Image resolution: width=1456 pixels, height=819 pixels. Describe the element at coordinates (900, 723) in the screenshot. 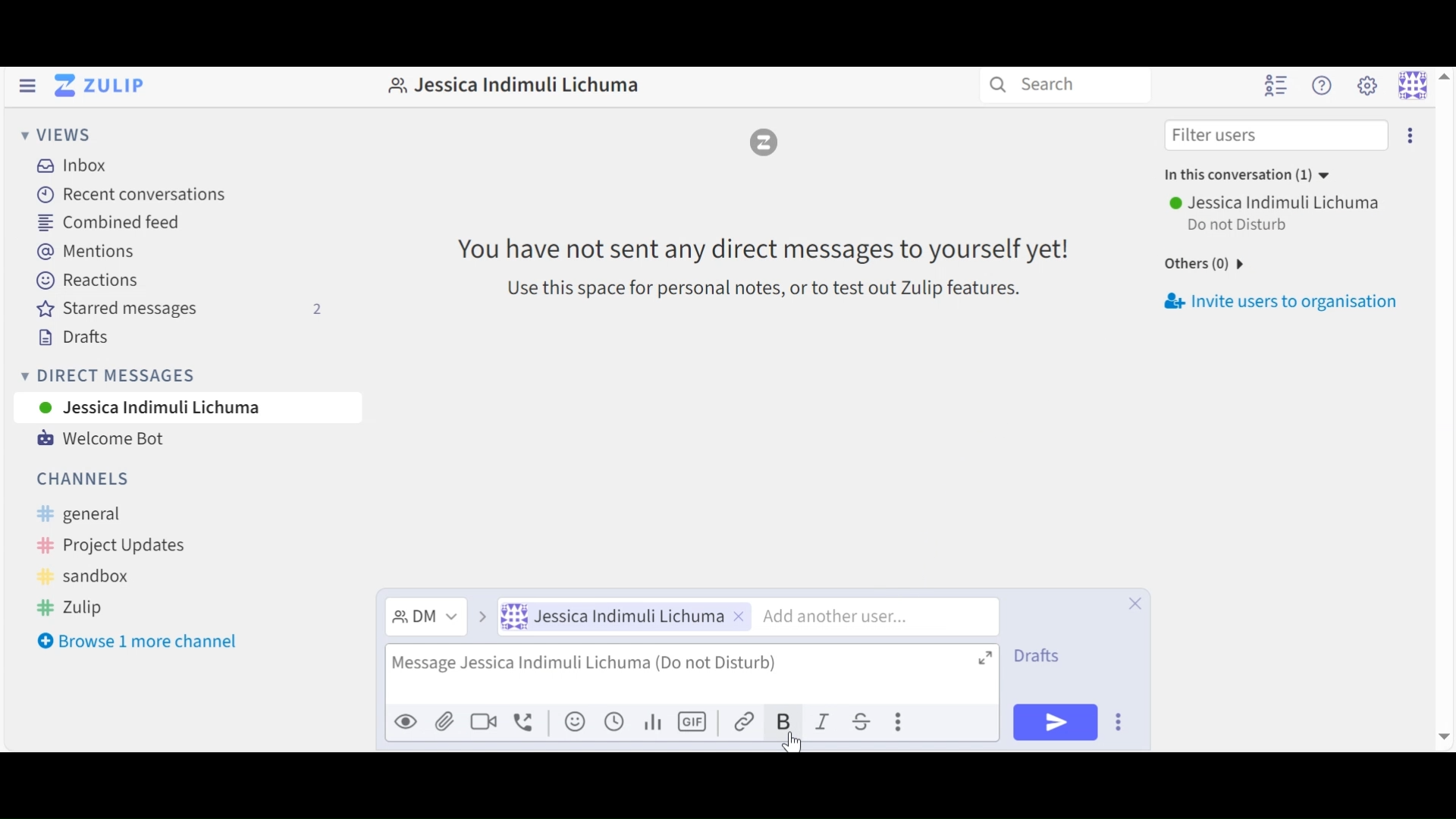

I see `more actions` at that location.